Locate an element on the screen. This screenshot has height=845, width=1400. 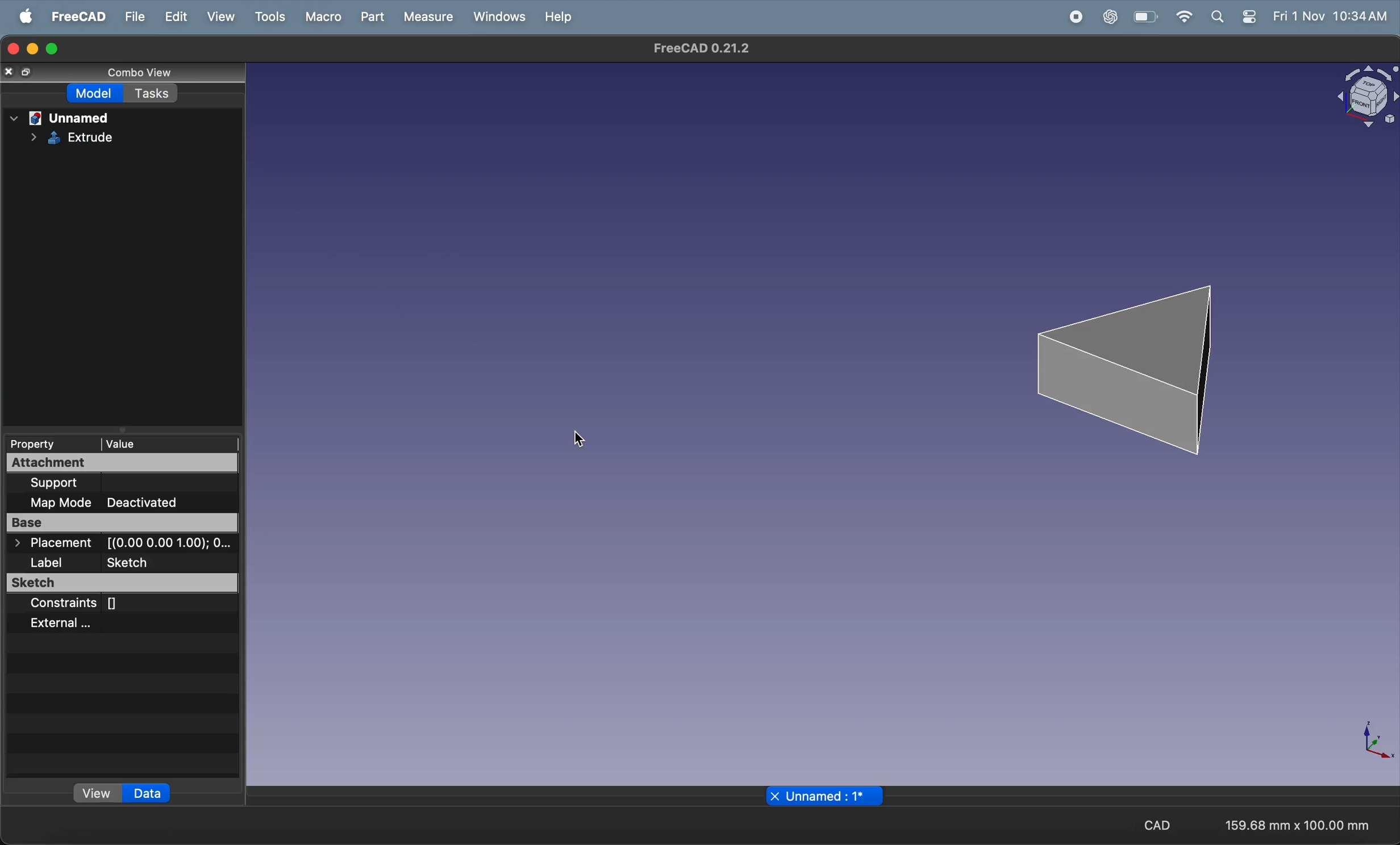
chatgpt is located at coordinates (1112, 16).